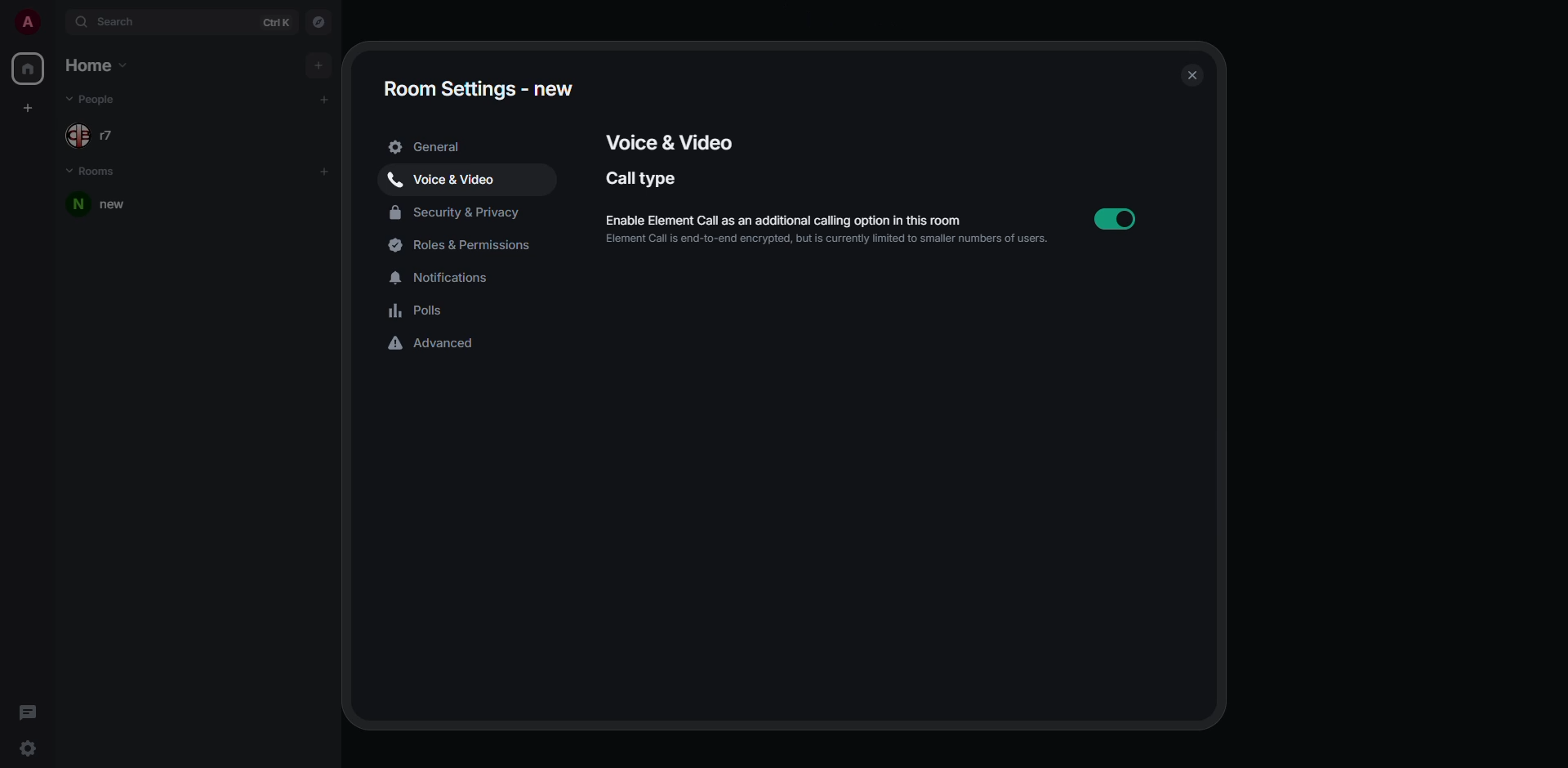 The height and width of the screenshot is (768, 1568). What do you see at coordinates (431, 147) in the screenshot?
I see `general` at bounding box center [431, 147].